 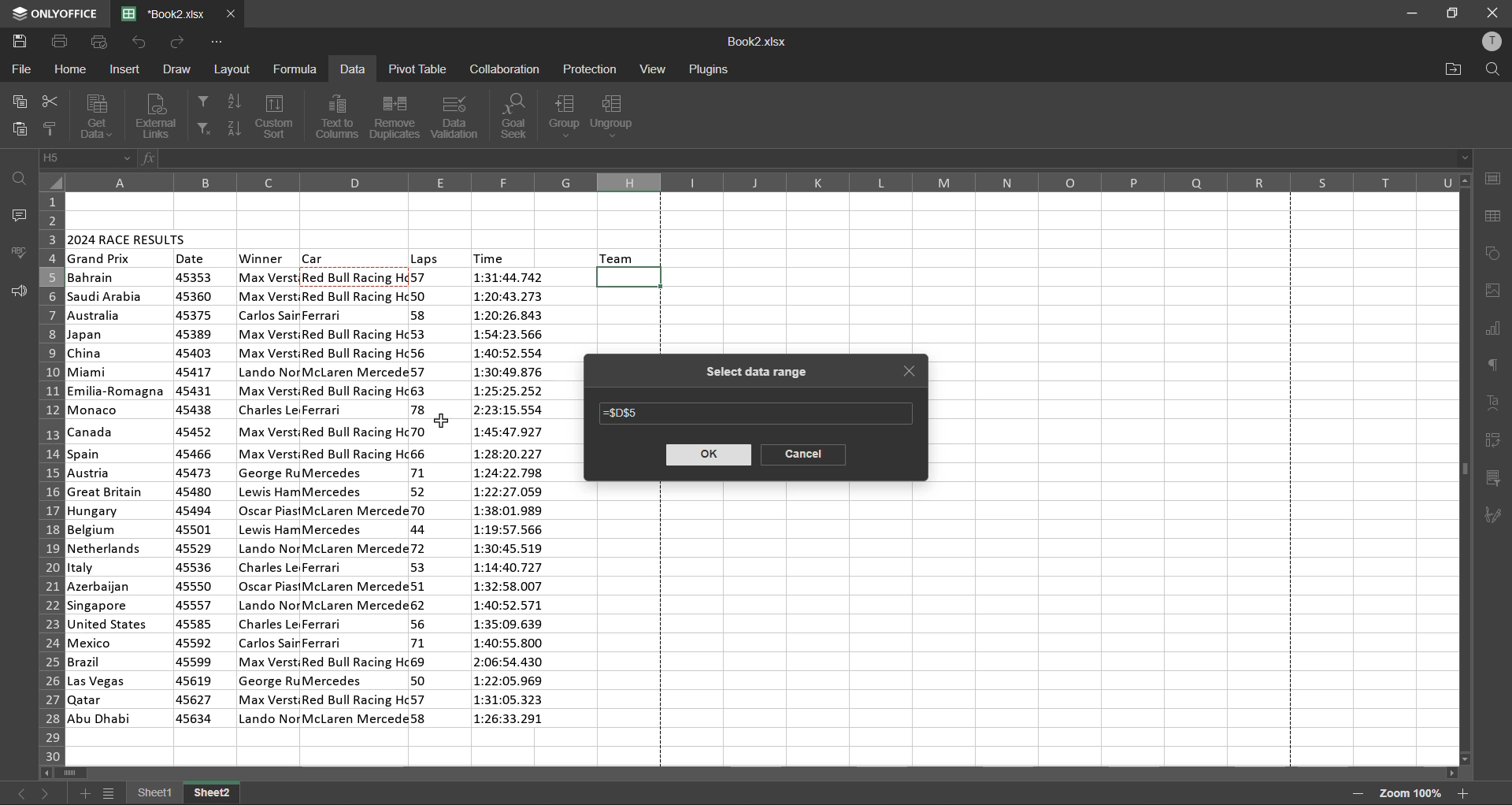 I want to click on insert, so click(x=128, y=69).